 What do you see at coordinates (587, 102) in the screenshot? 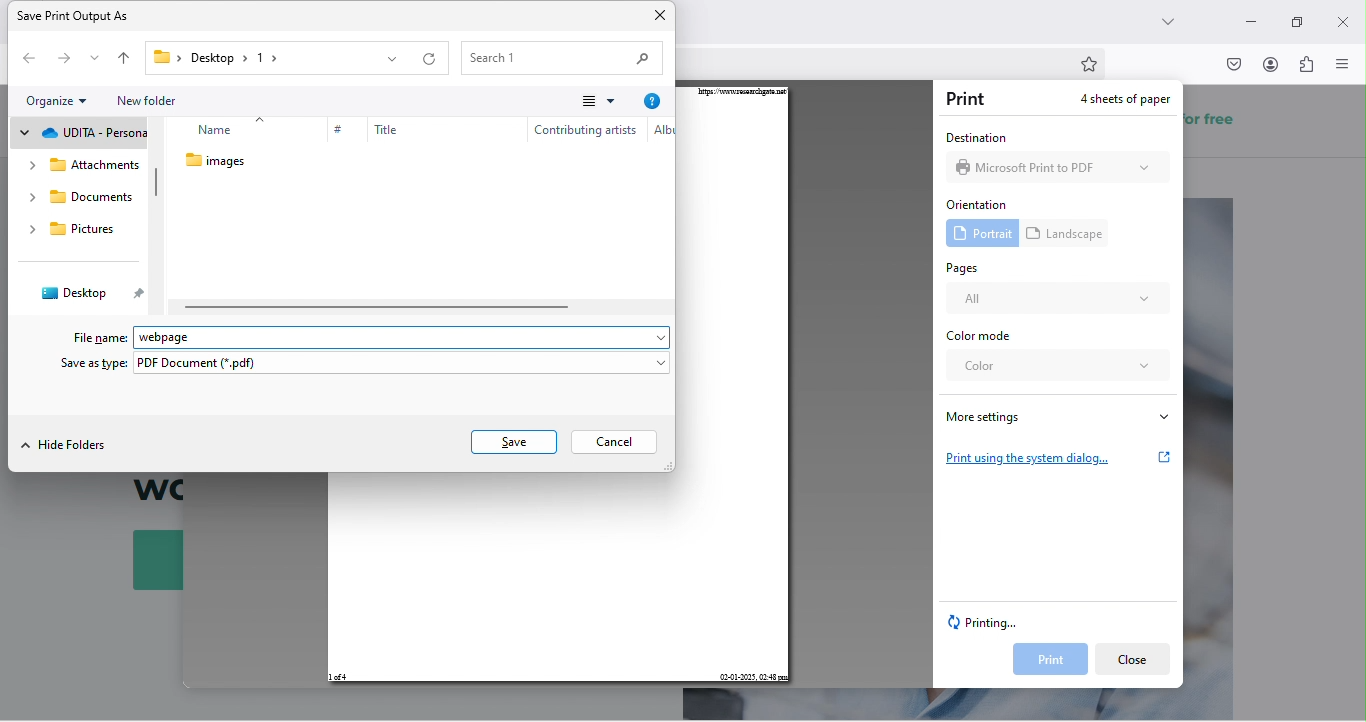
I see `menu` at bounding box center [587, 102].